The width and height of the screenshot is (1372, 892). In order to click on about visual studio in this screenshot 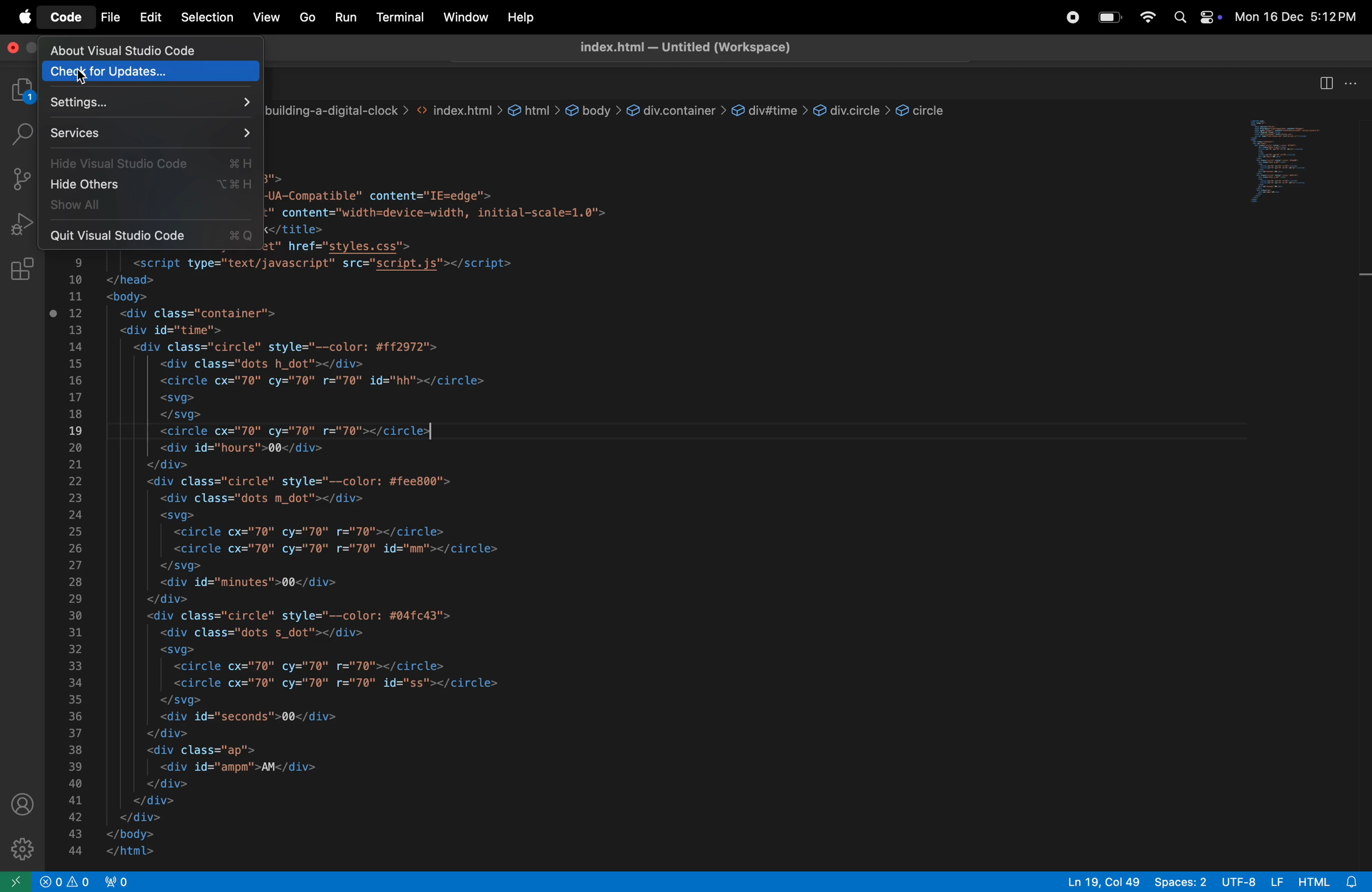, I will do `click(154, 49)`.